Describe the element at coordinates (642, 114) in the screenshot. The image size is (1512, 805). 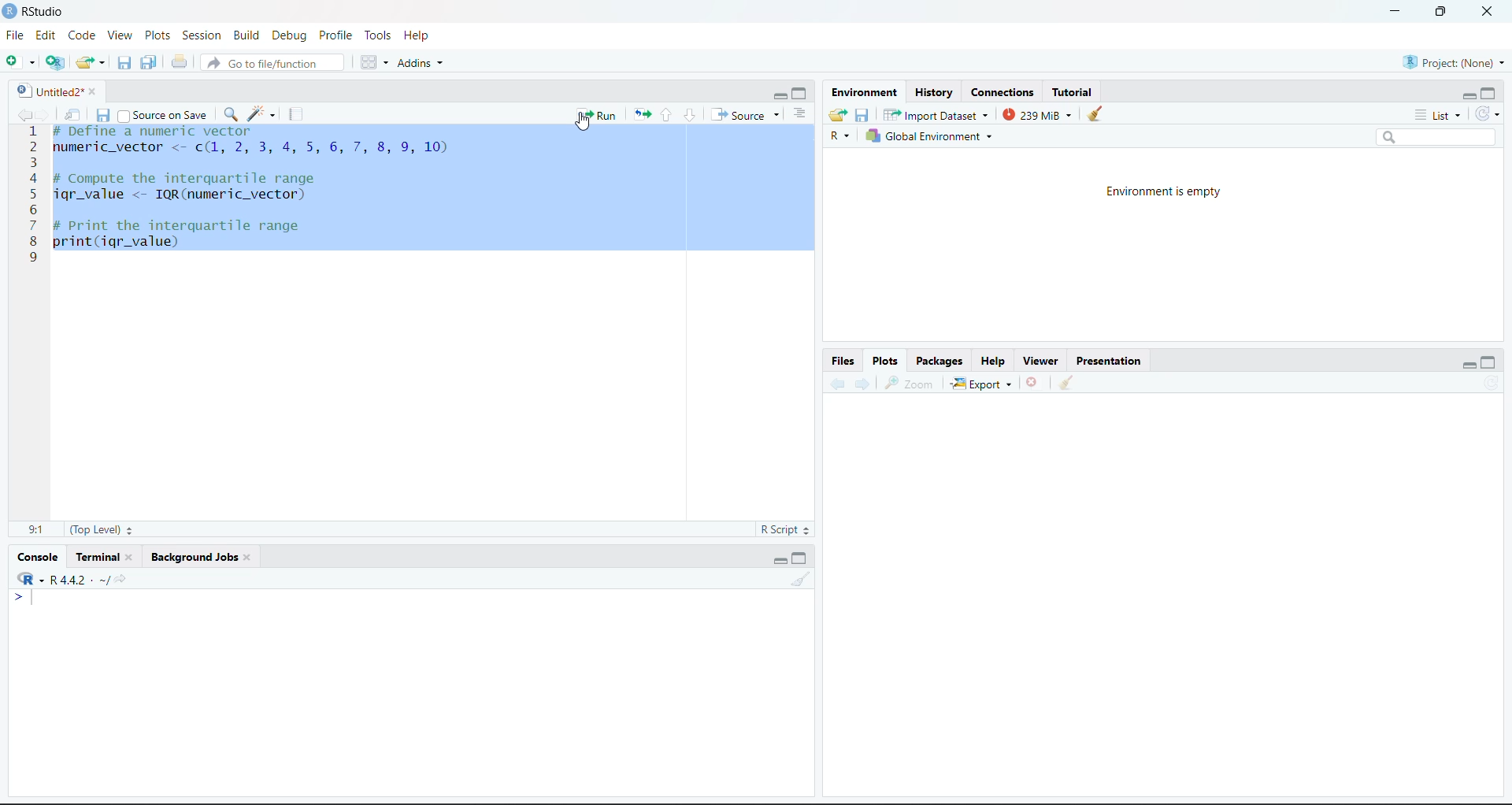
I see `Re-run the previous code region (Ctrl + Alt + P)` at that location.